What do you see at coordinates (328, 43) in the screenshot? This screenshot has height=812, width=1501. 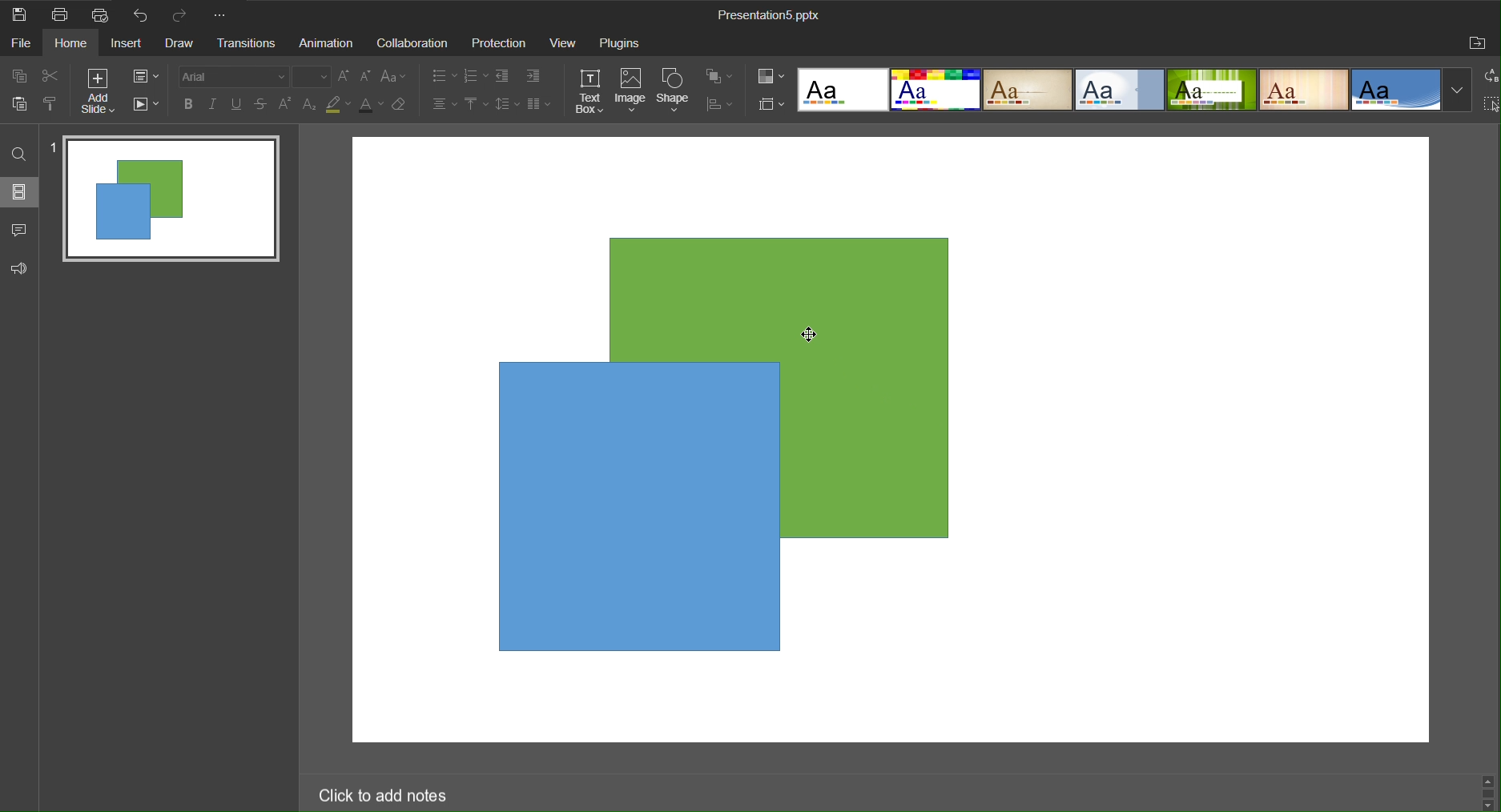 I see `Animation` at bounding box center [328, 43].